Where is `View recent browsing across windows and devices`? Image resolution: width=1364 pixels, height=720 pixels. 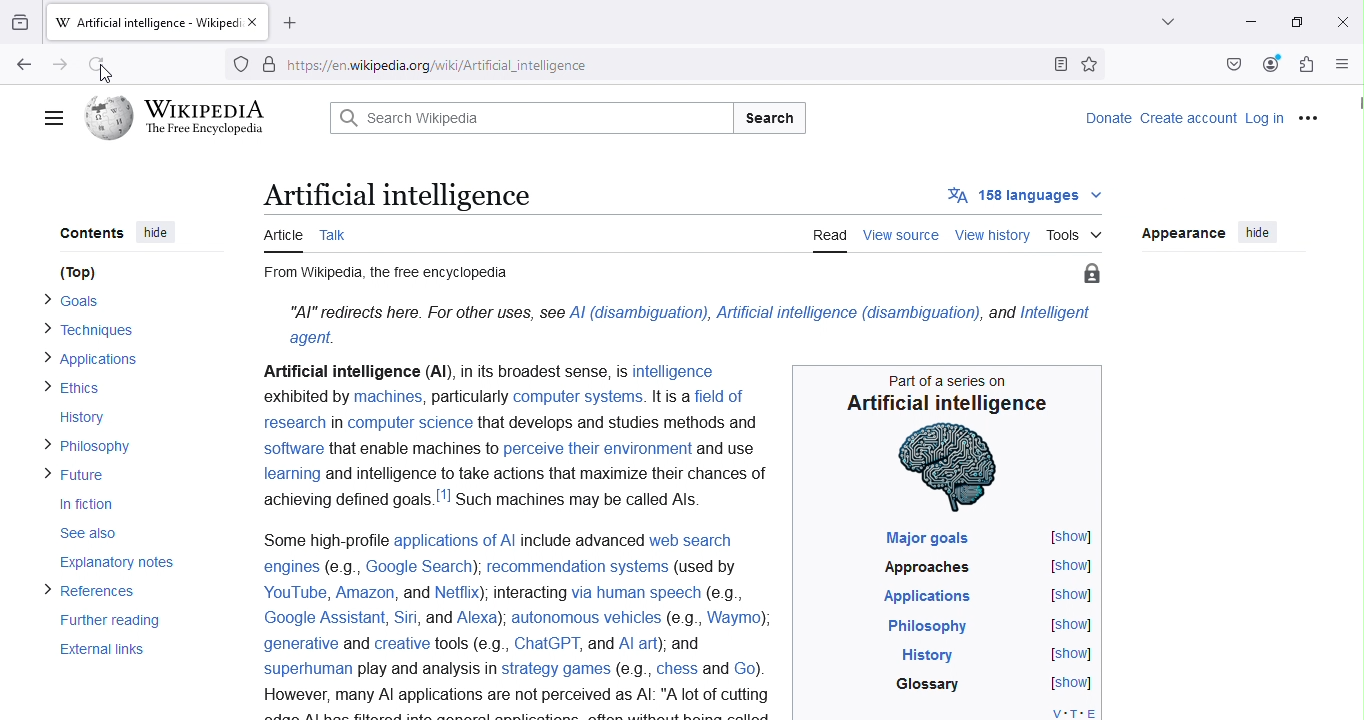
View recent browsing across windows and devices is located at coordinates (21, 22).